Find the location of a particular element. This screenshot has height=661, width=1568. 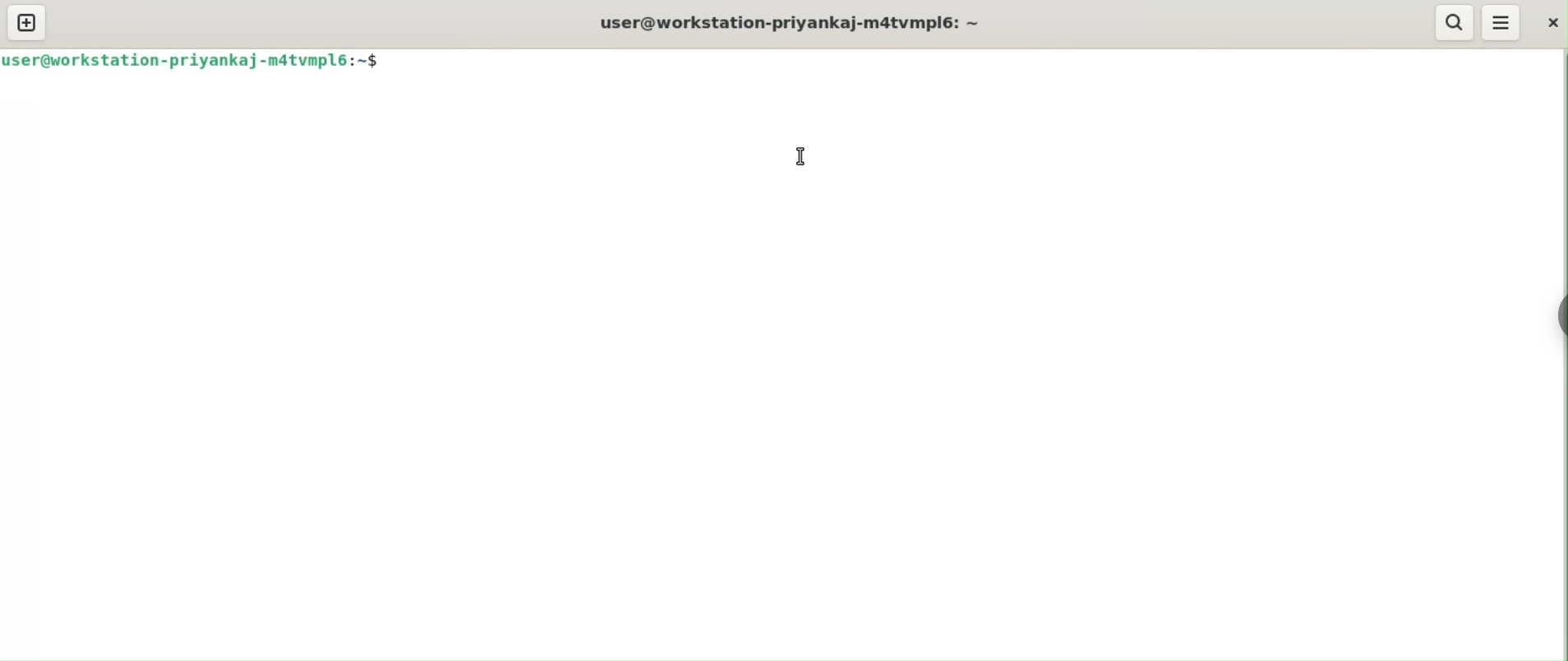

user@workstation-priyankaj-m4tvmpl6:- is located at coordinates (793, 19).